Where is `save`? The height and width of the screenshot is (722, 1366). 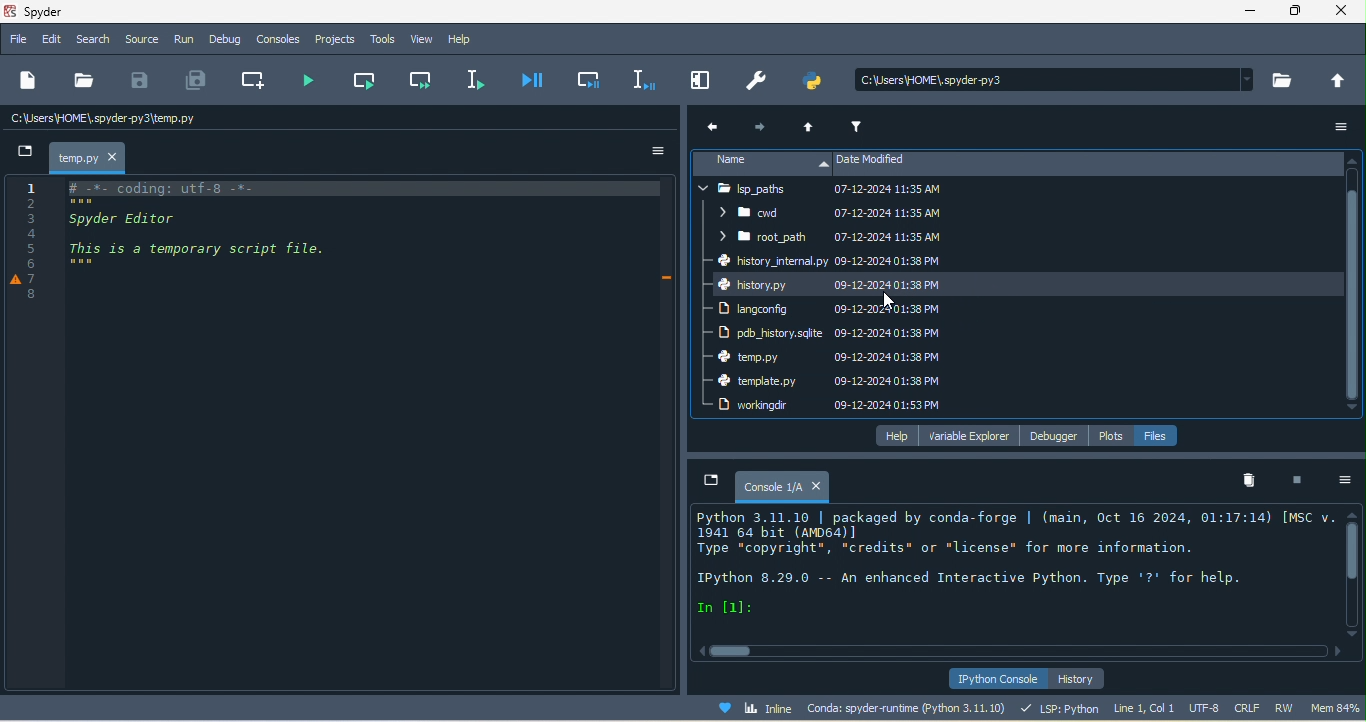
save is located at coordinates (139, 81).